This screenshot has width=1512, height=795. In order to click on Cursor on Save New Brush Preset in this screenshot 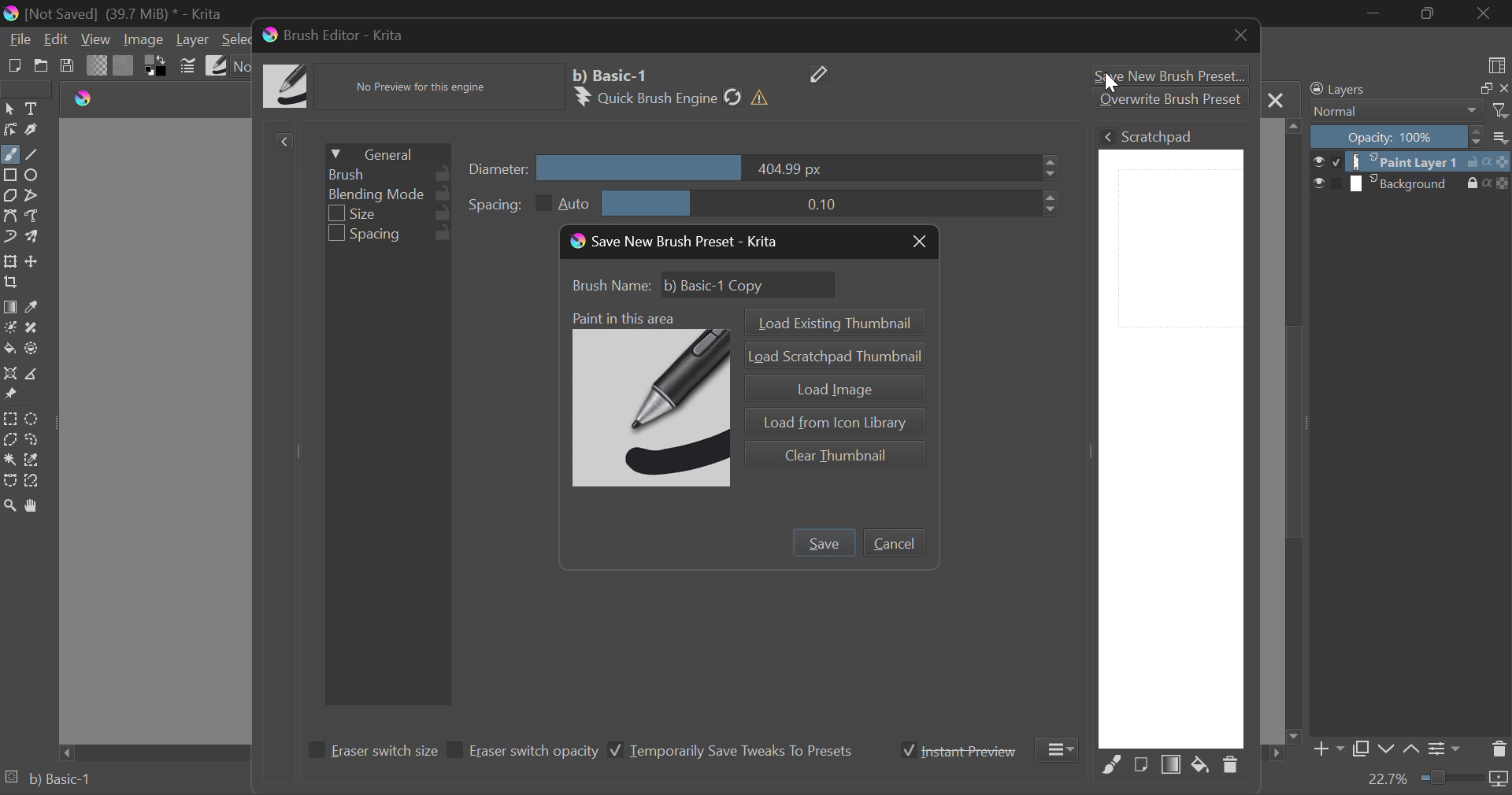, I will do `click(1167, 73)`.